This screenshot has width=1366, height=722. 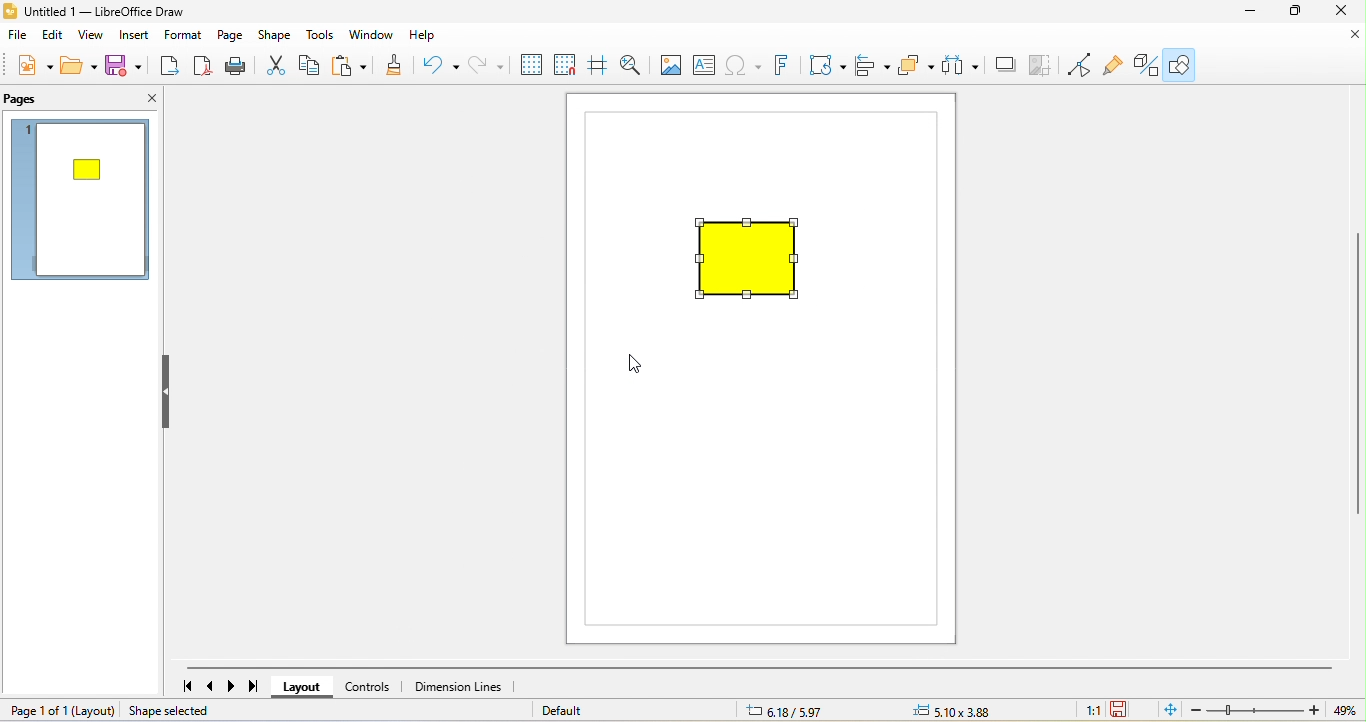 What do you see at coordinates (583, 711) in the screenshot?
I see `default` at bounding box center [583, 711].